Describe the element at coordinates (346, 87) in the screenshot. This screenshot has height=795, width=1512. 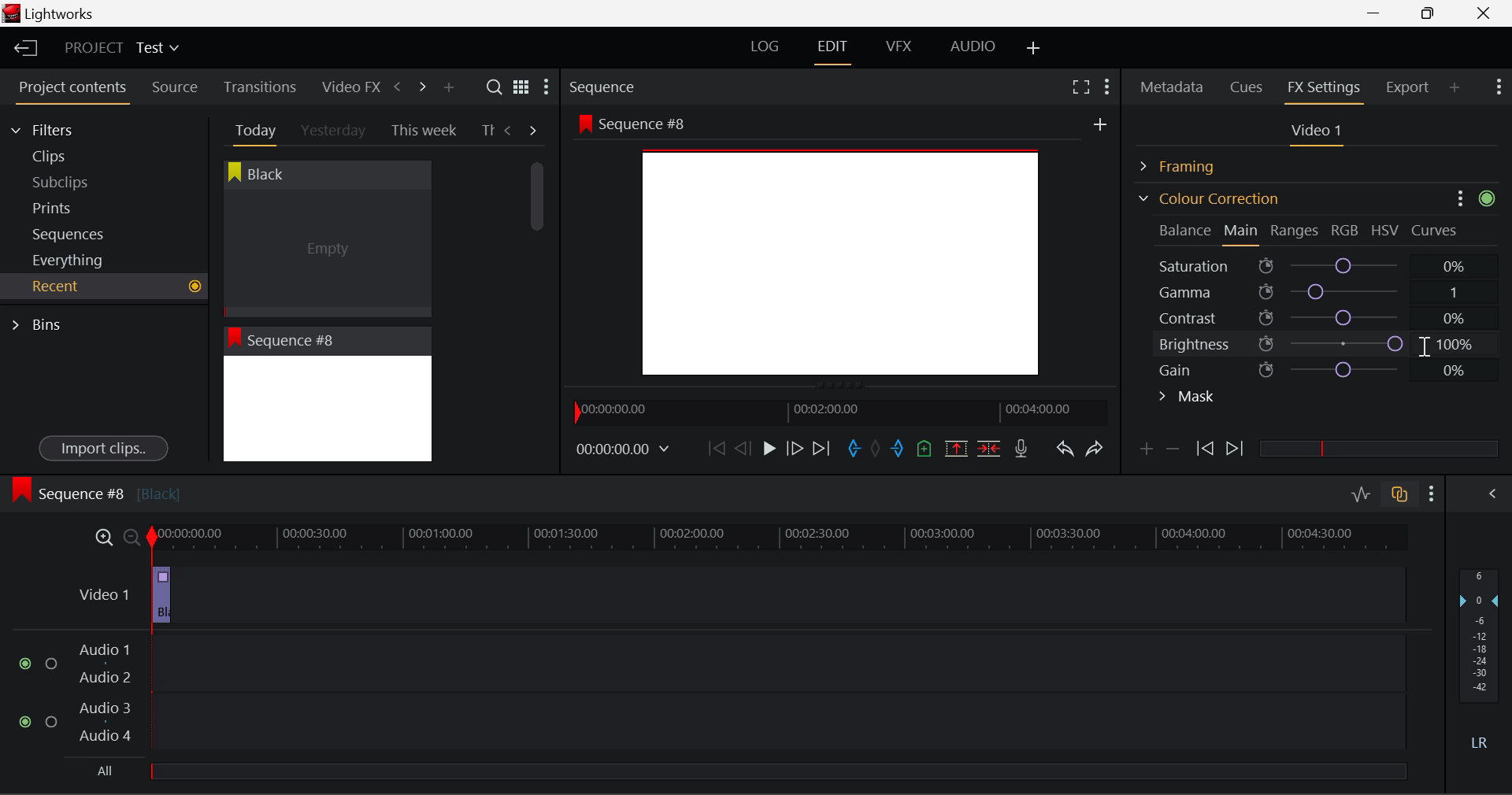
I see `Video FX` at that location.